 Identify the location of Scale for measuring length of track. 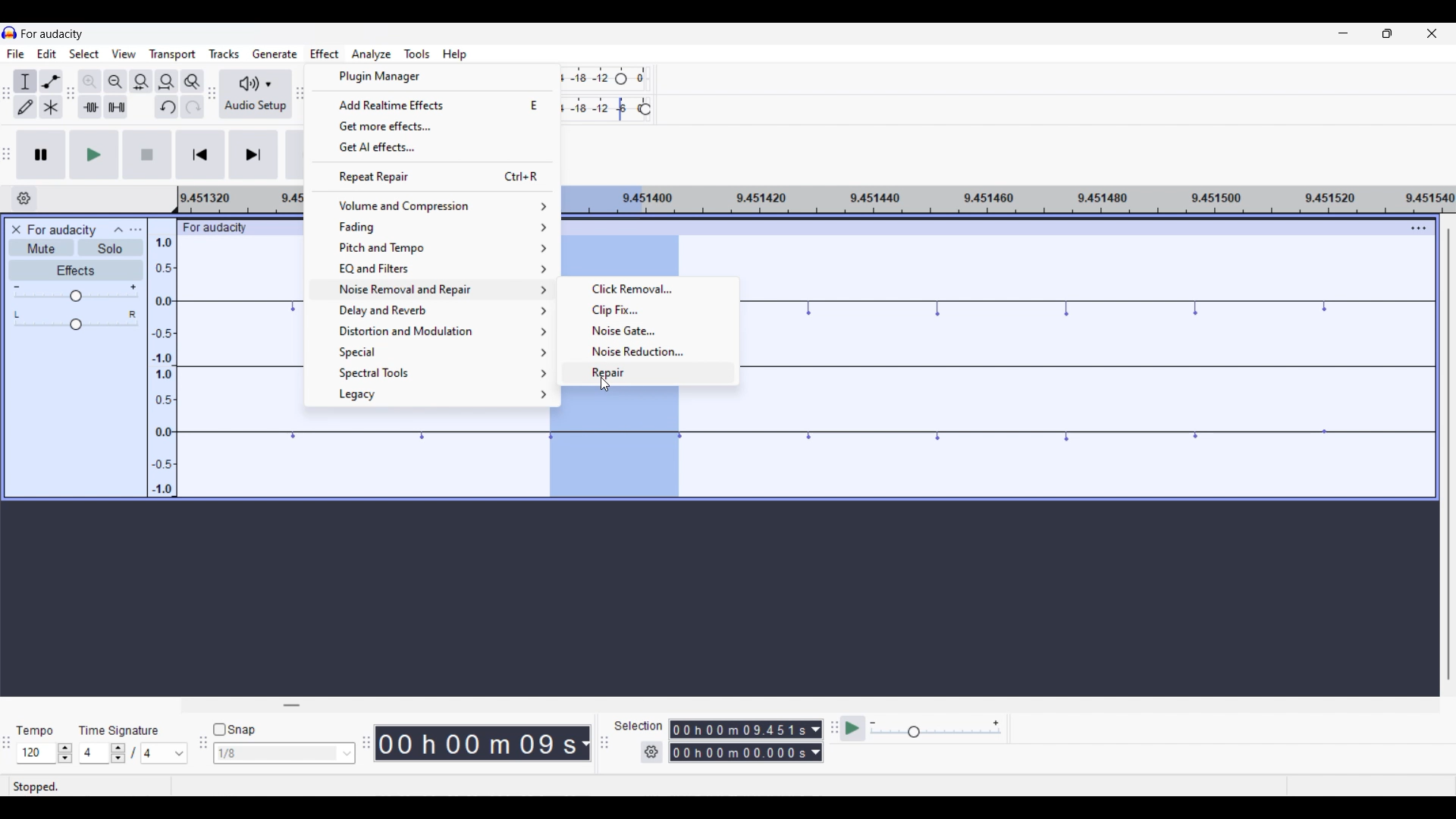
(1012, 199).